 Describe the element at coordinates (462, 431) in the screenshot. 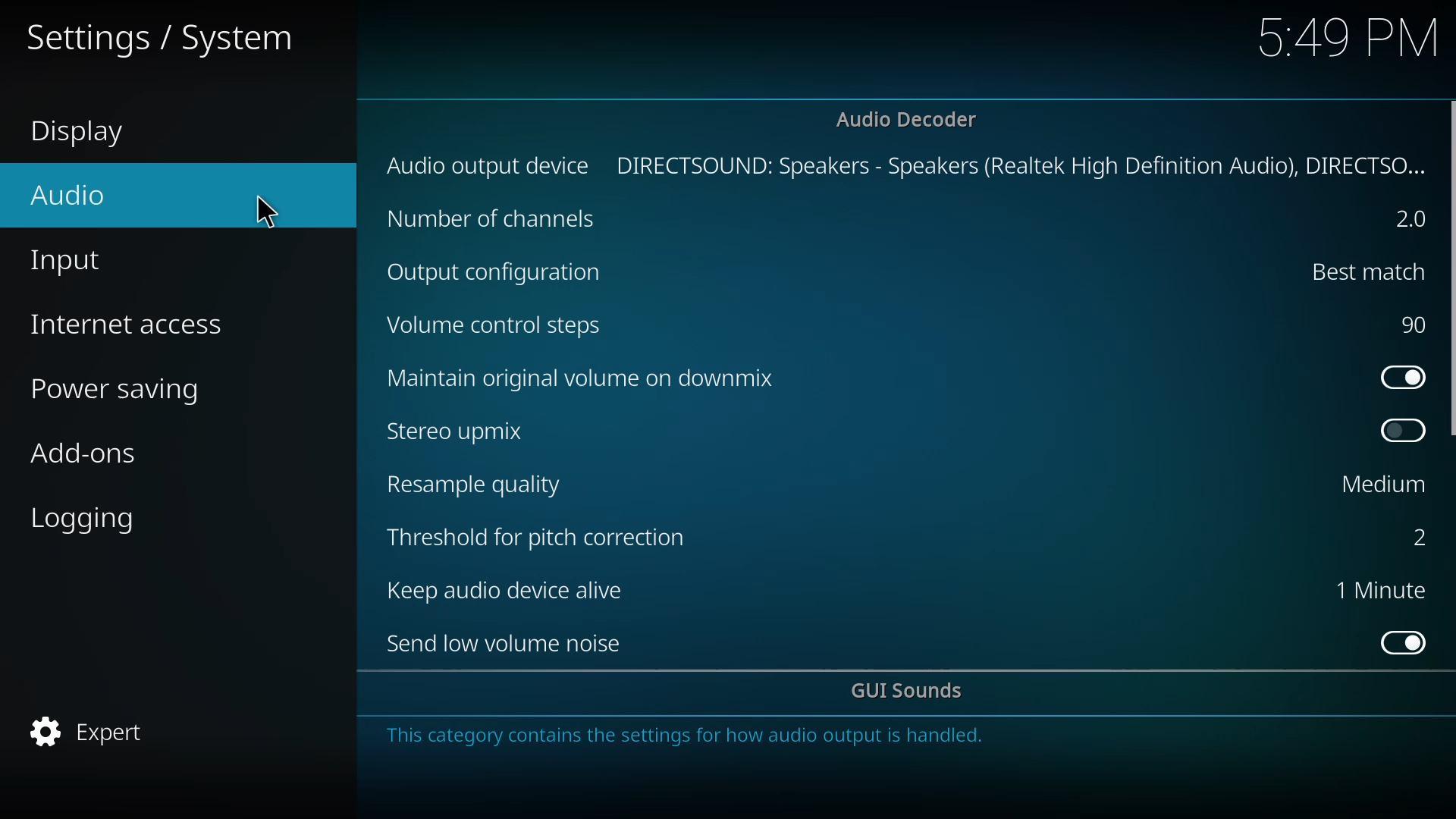

I see `stereo upmix` at that location.